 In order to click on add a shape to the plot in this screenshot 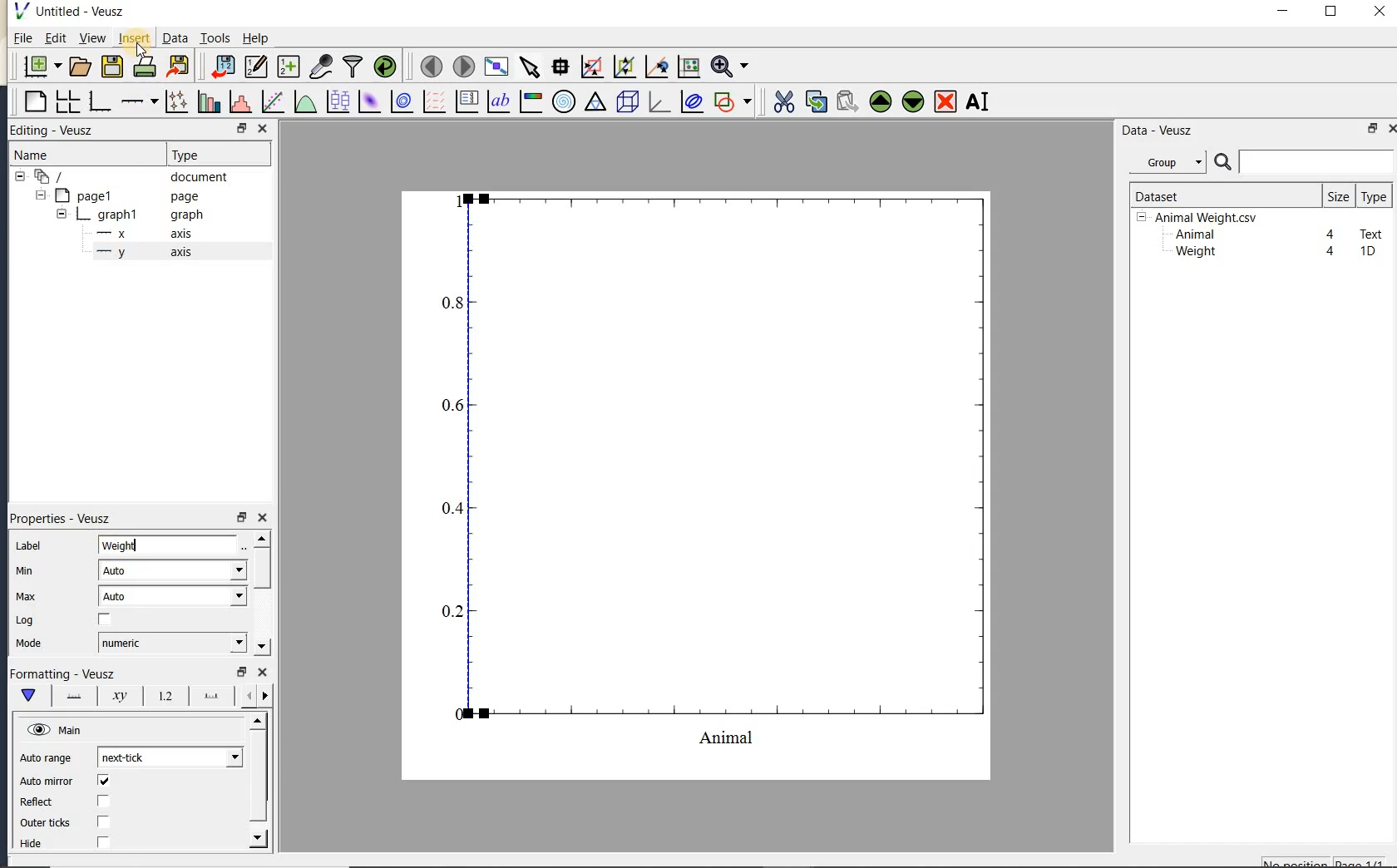, I will do `click(732, 101)`.